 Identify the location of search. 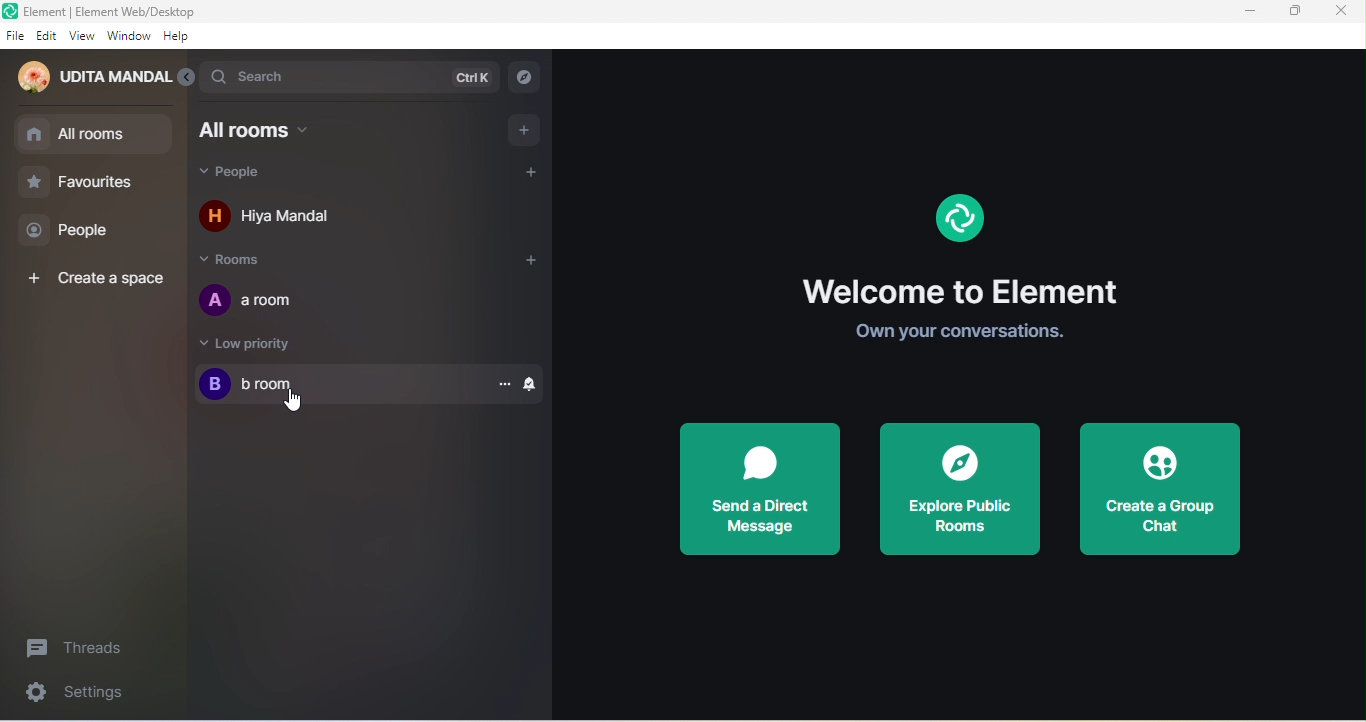
(350, 77).